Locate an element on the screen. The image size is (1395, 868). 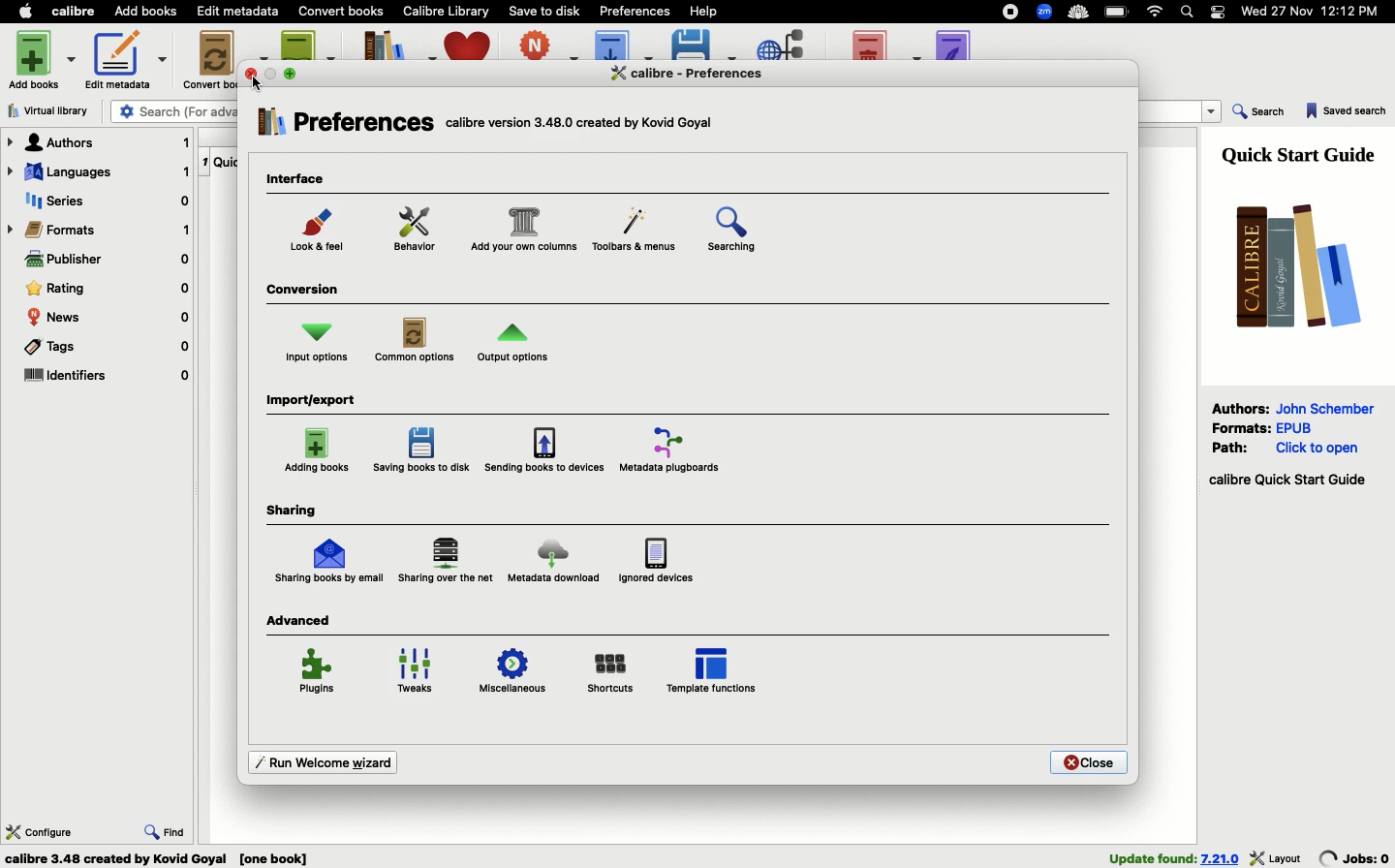
Path is located at coordinates (1233, 447).